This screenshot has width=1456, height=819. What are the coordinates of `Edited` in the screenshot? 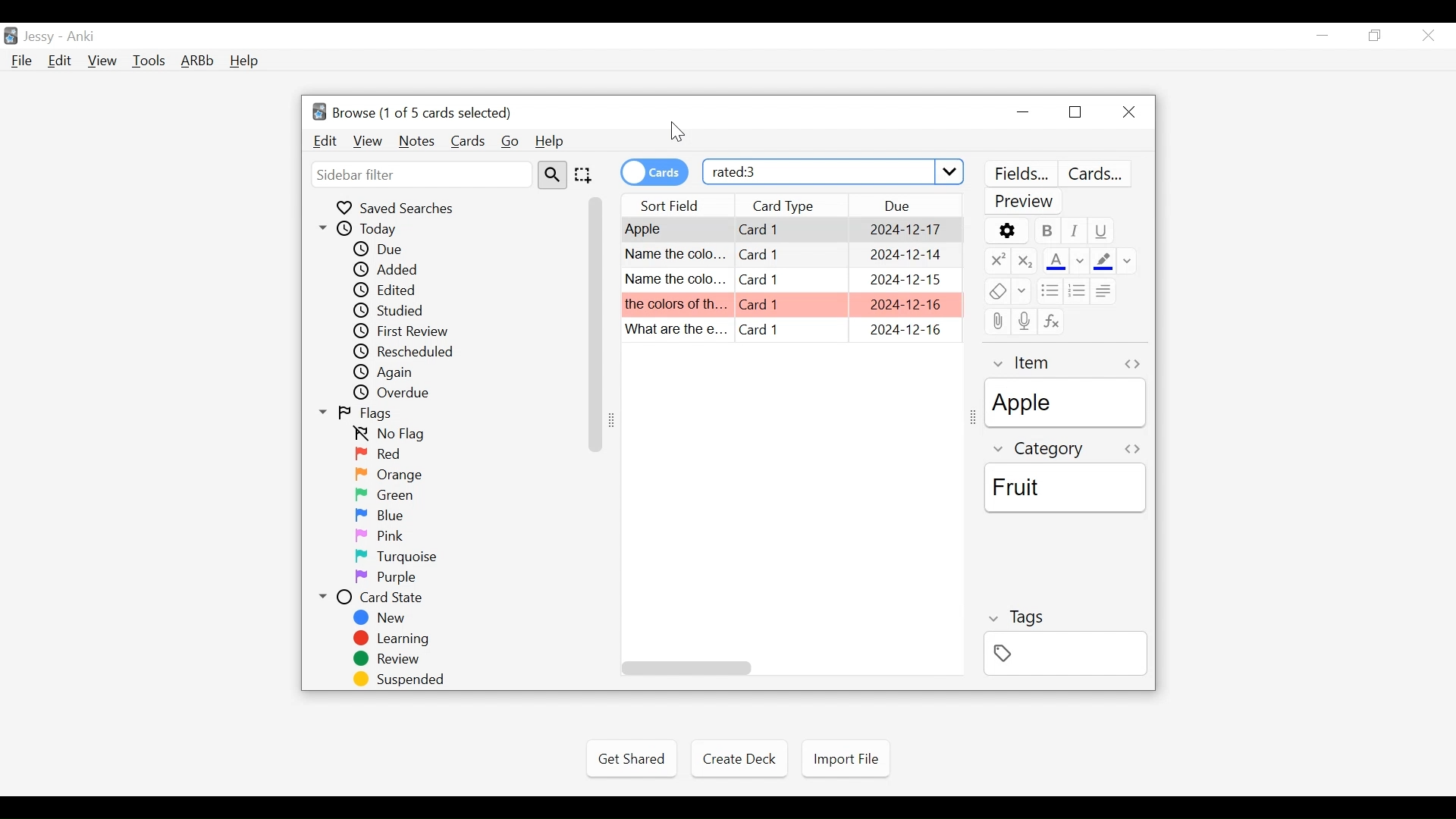 It's located at (392, 290).